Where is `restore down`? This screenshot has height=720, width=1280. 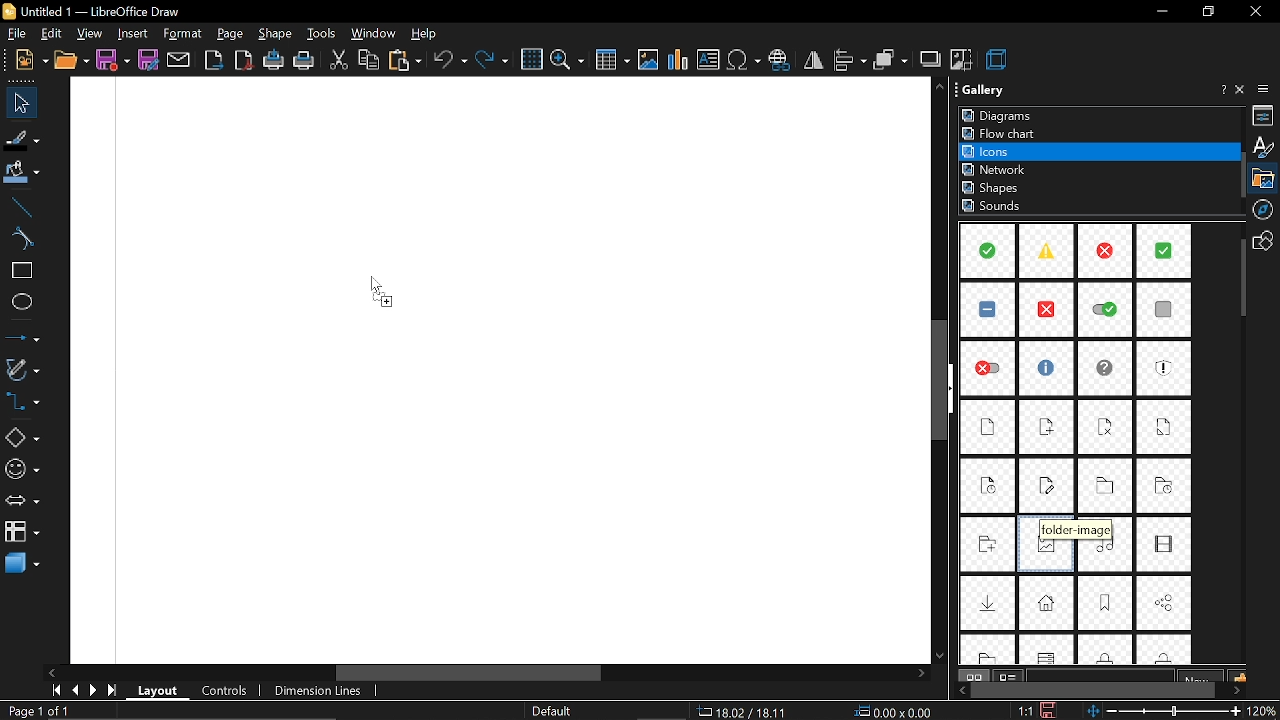 restore down is located at coordinates (1206, 12).